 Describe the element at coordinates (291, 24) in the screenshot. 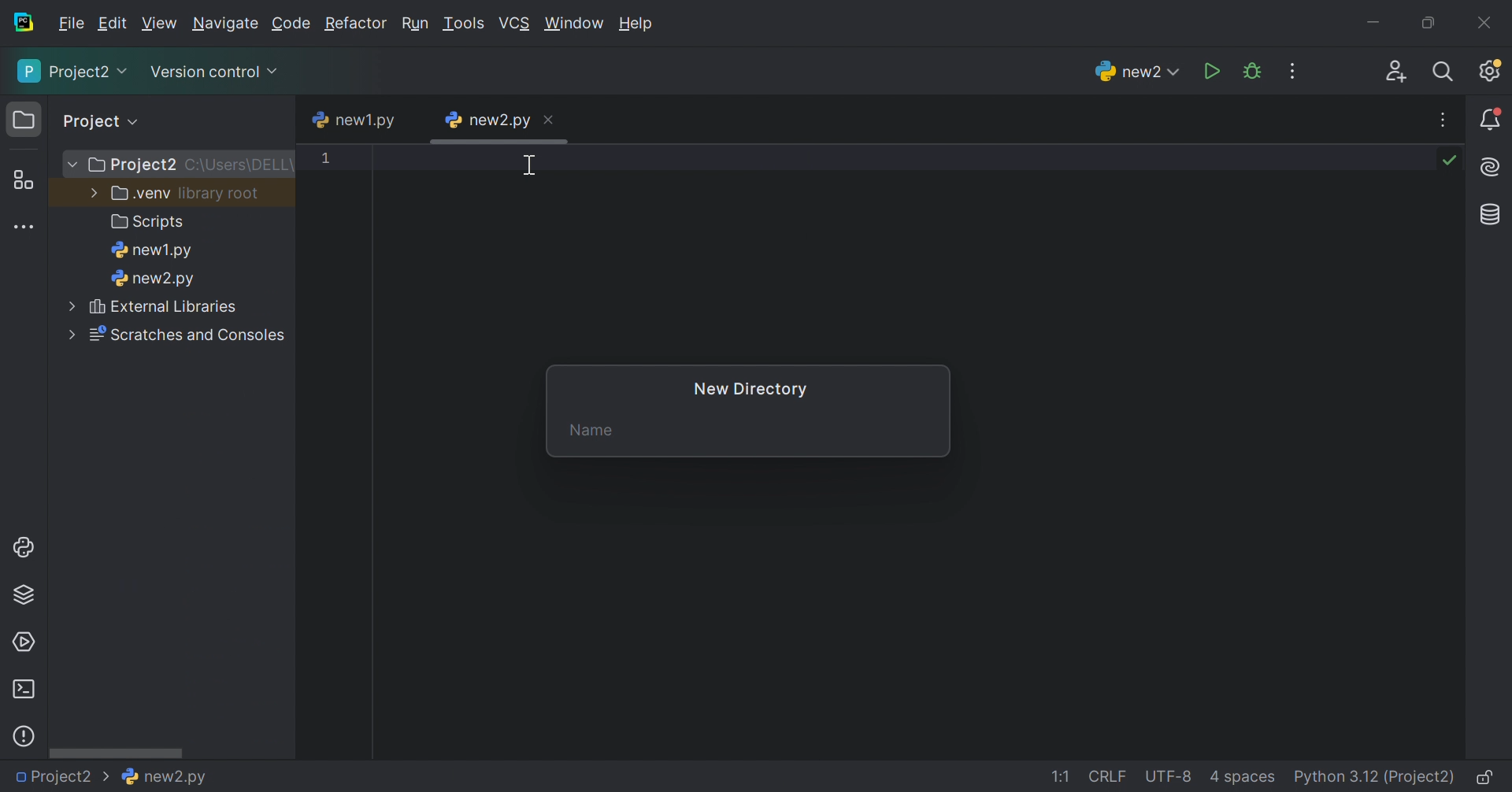

I see `Code` at that location.